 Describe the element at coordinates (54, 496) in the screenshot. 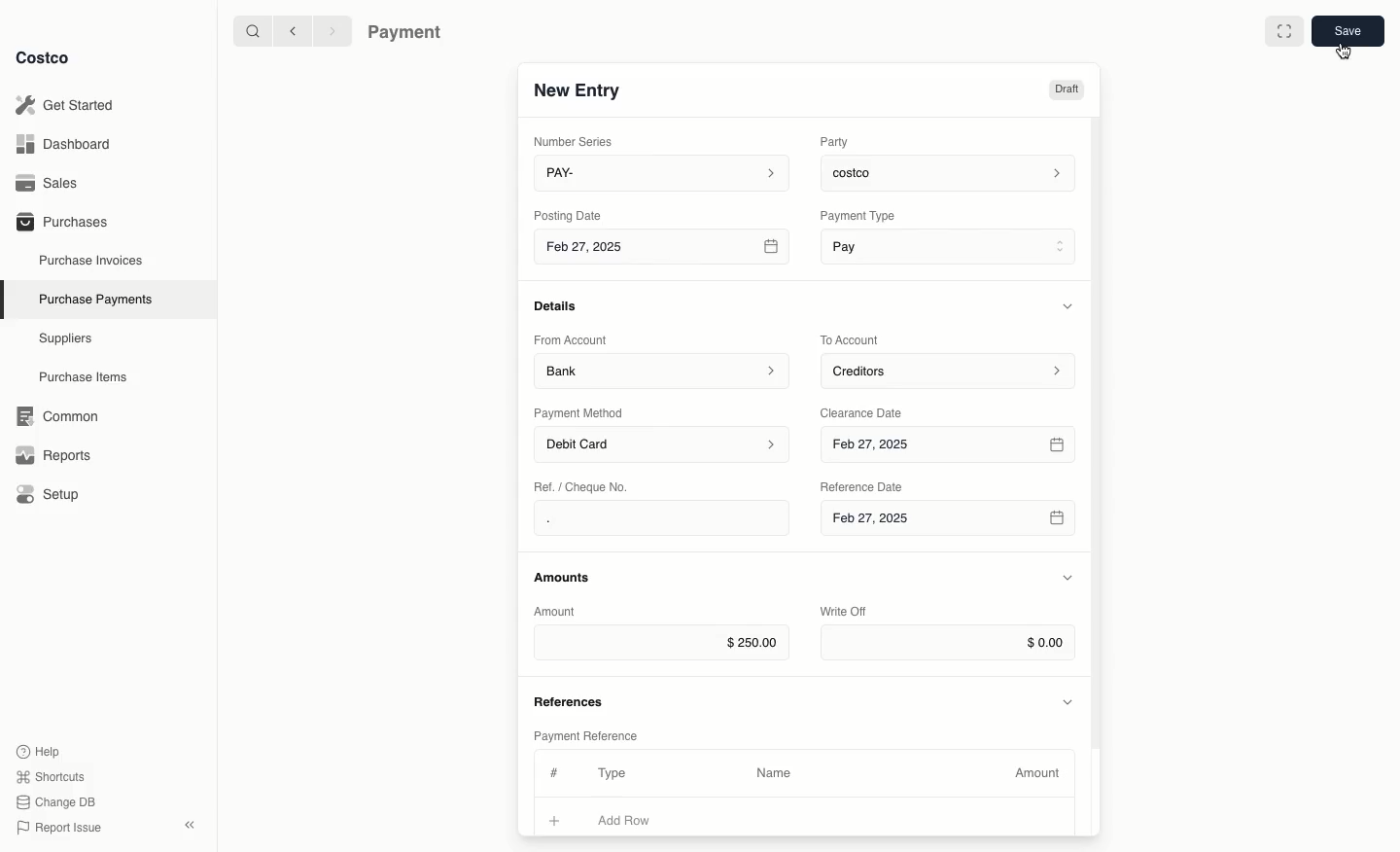

I see `Setup` at that location.